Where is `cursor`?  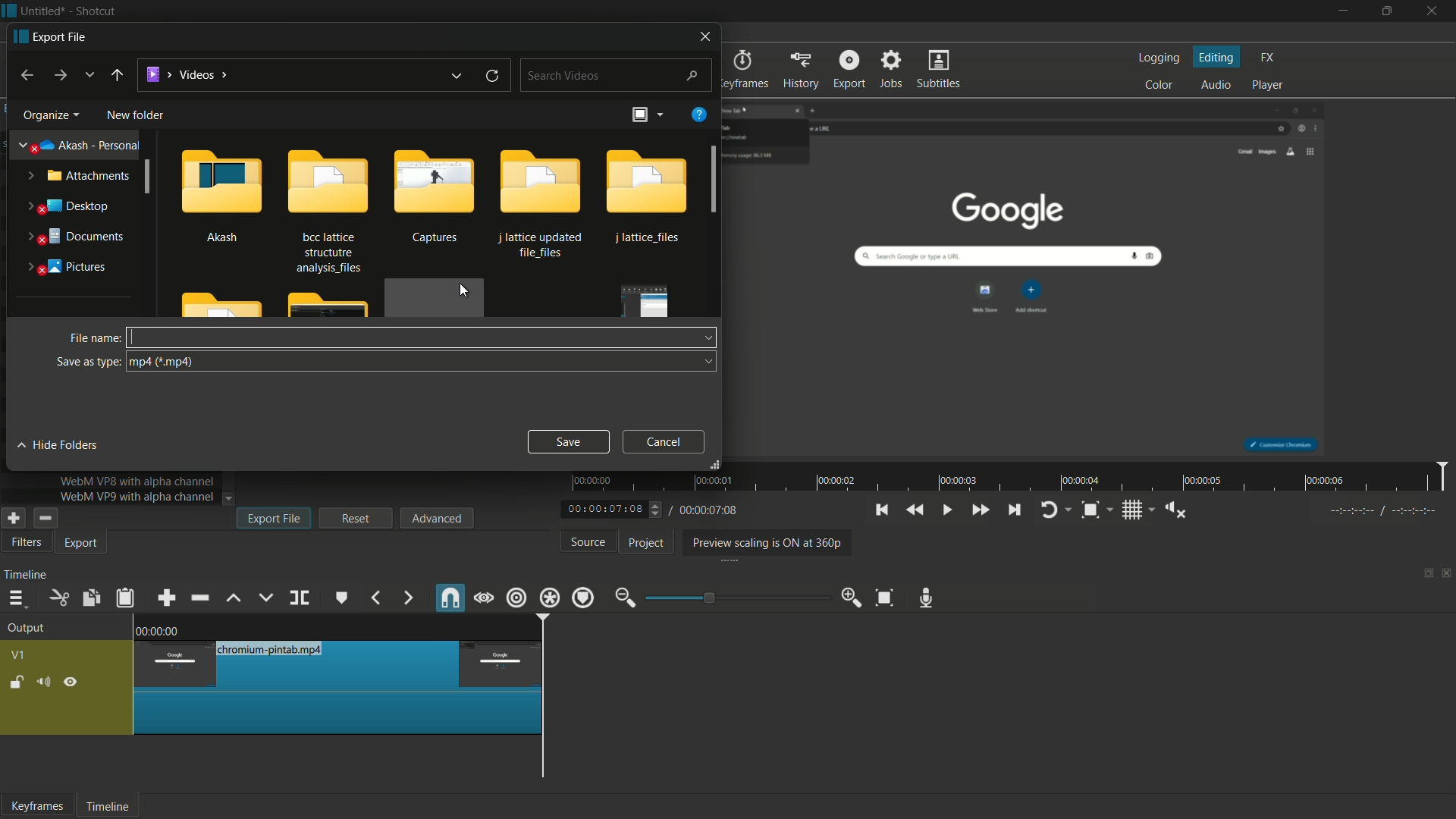 cursor is located at coordinates (466, 290).